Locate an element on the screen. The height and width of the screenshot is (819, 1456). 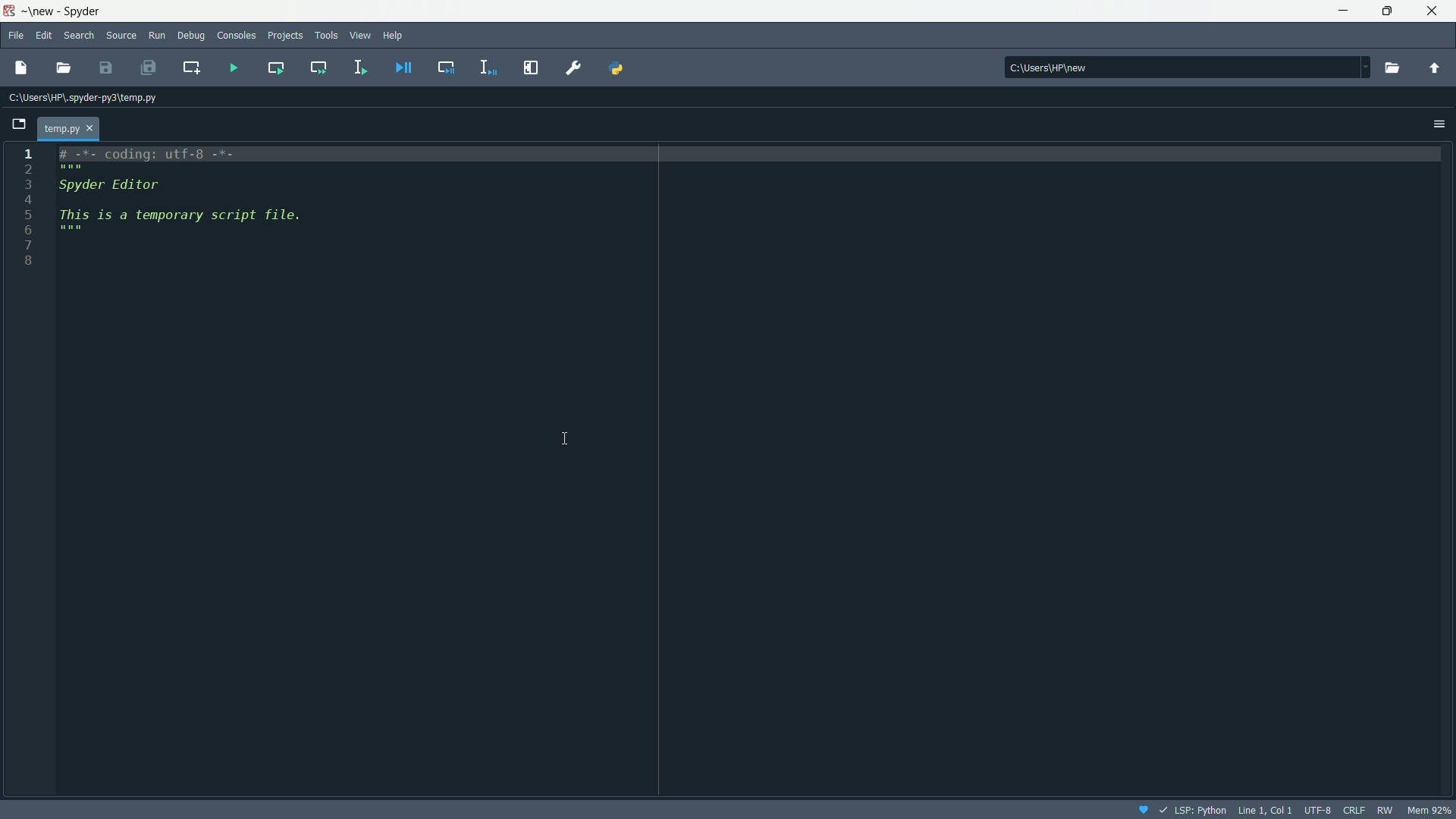
Open file (Ctrl + O) is located at coordinates (65, 67).